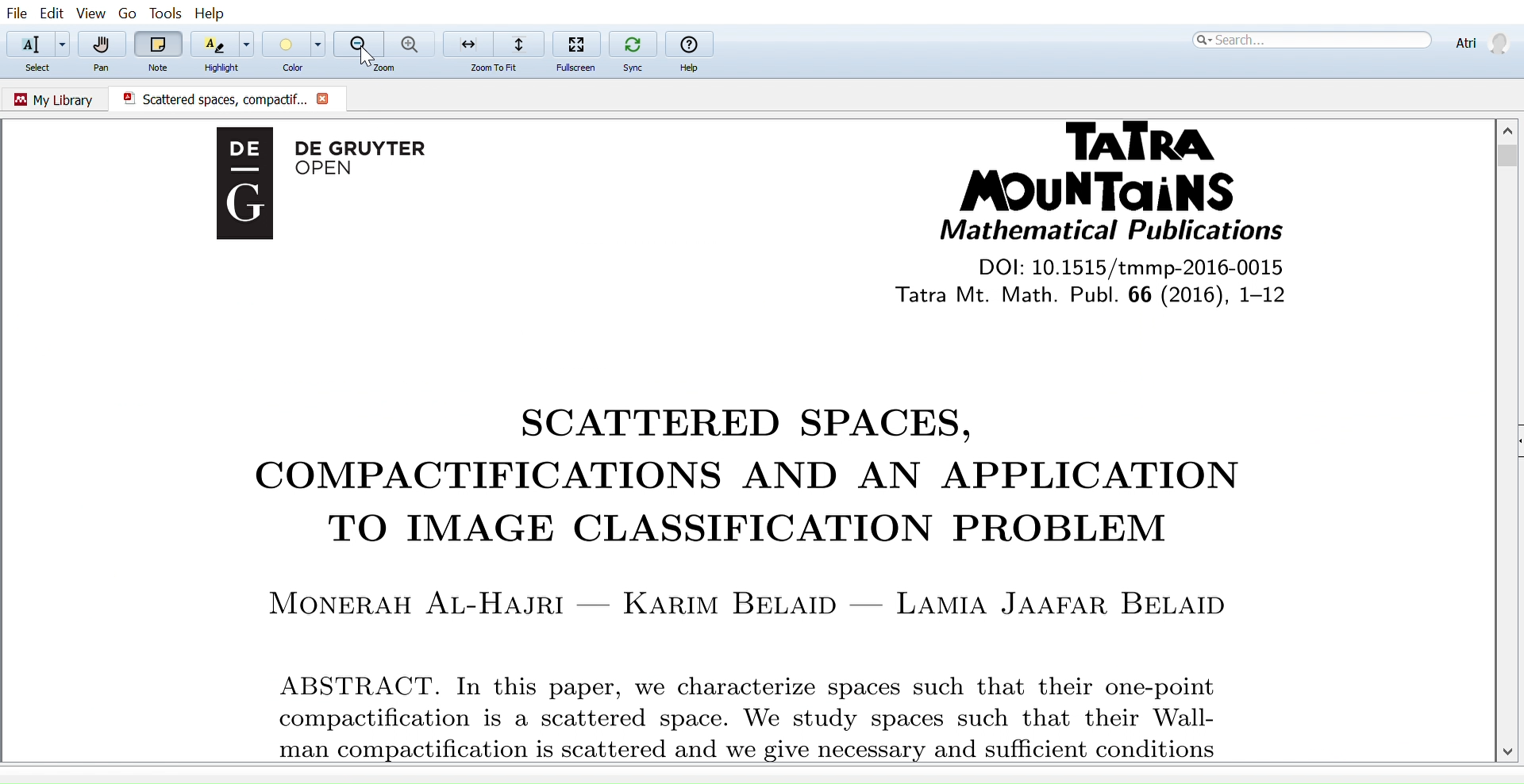  What do you see at coordinates (284, 44) in the screenshot?
I see `Color` at bounding box center [284, 44].